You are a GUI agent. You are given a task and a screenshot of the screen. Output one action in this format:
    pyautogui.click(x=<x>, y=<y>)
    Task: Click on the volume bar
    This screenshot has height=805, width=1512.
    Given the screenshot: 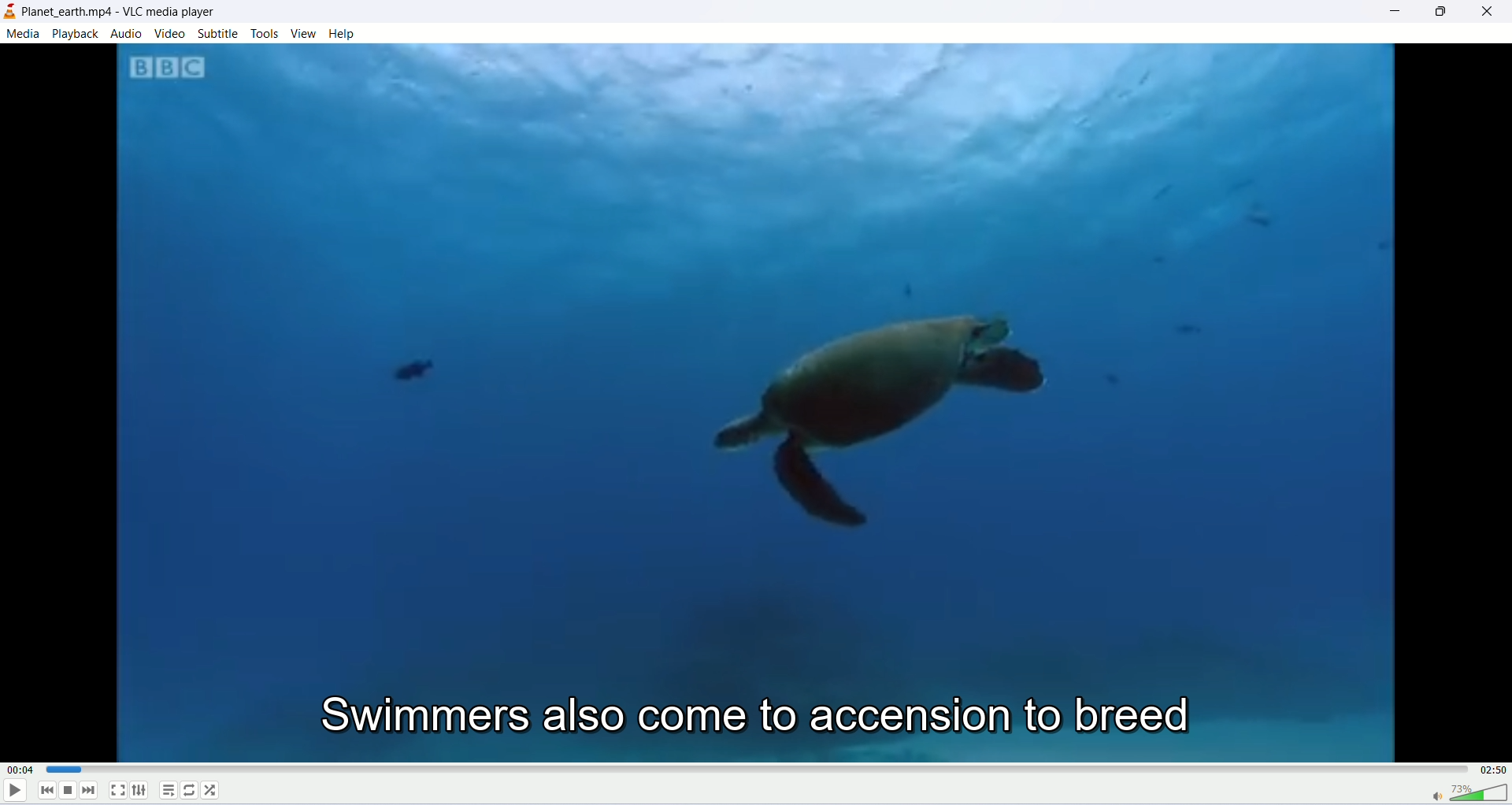 What is the action you would take?
    pyautogui.click(x=1469, y=791)
    